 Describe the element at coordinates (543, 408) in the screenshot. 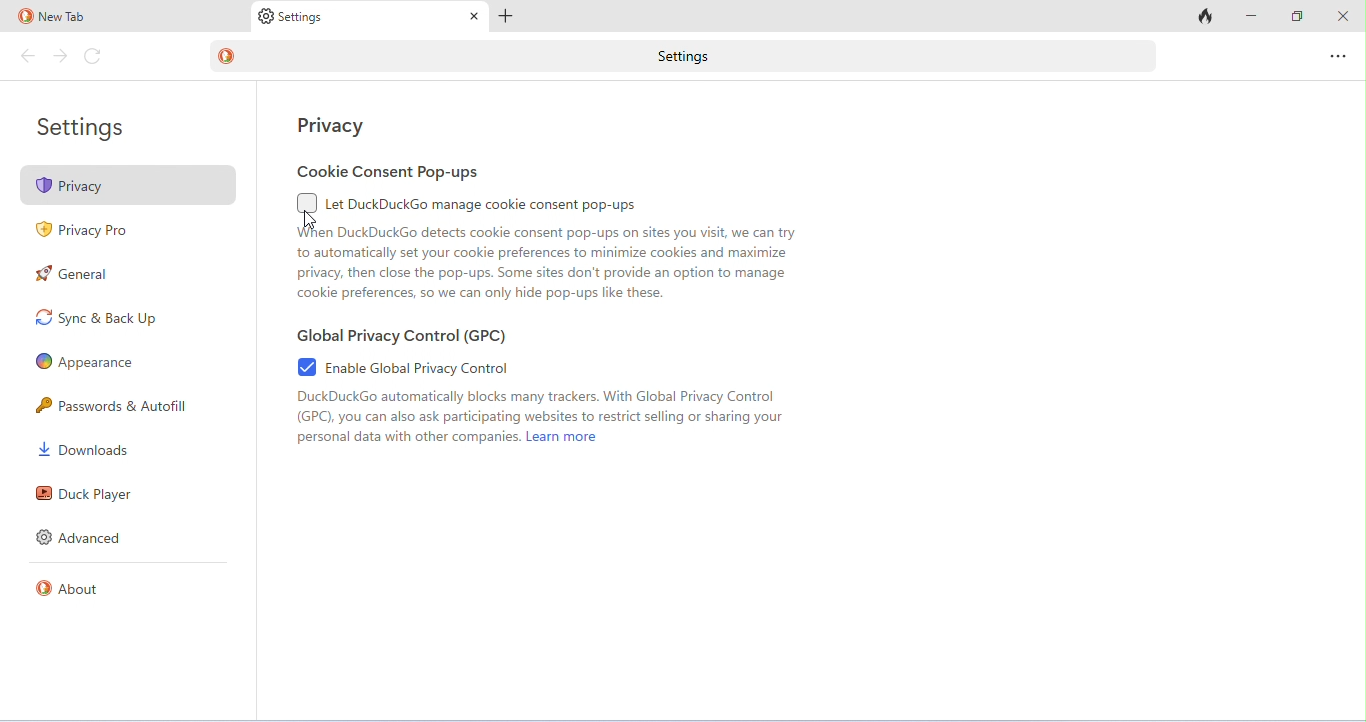

I see `Duckduckgo automatically blocks many trackers. Global privacy control you can also ask participating websites to restrict selling or sharing your` at that location.